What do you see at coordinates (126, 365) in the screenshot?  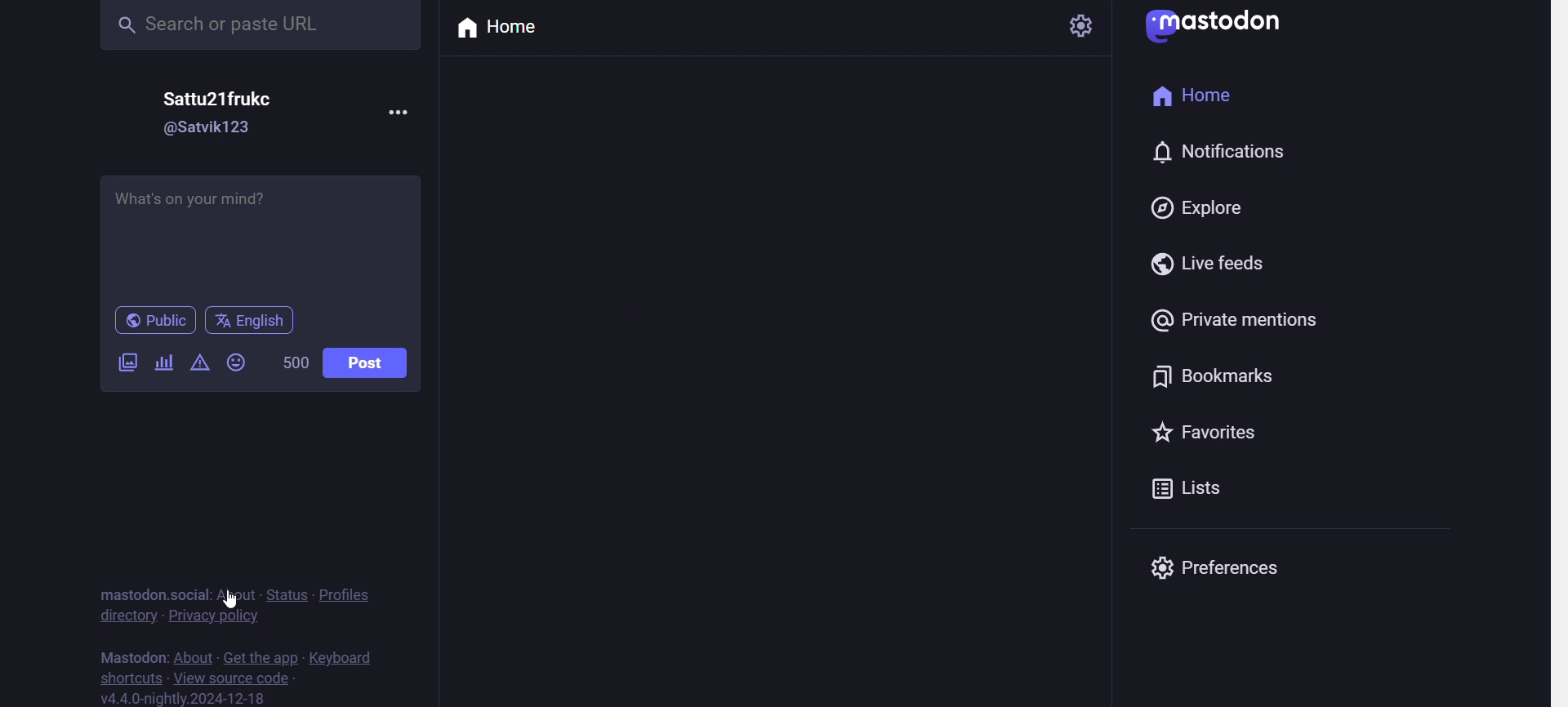 I see `image/video` at bounding box center [126, 365].